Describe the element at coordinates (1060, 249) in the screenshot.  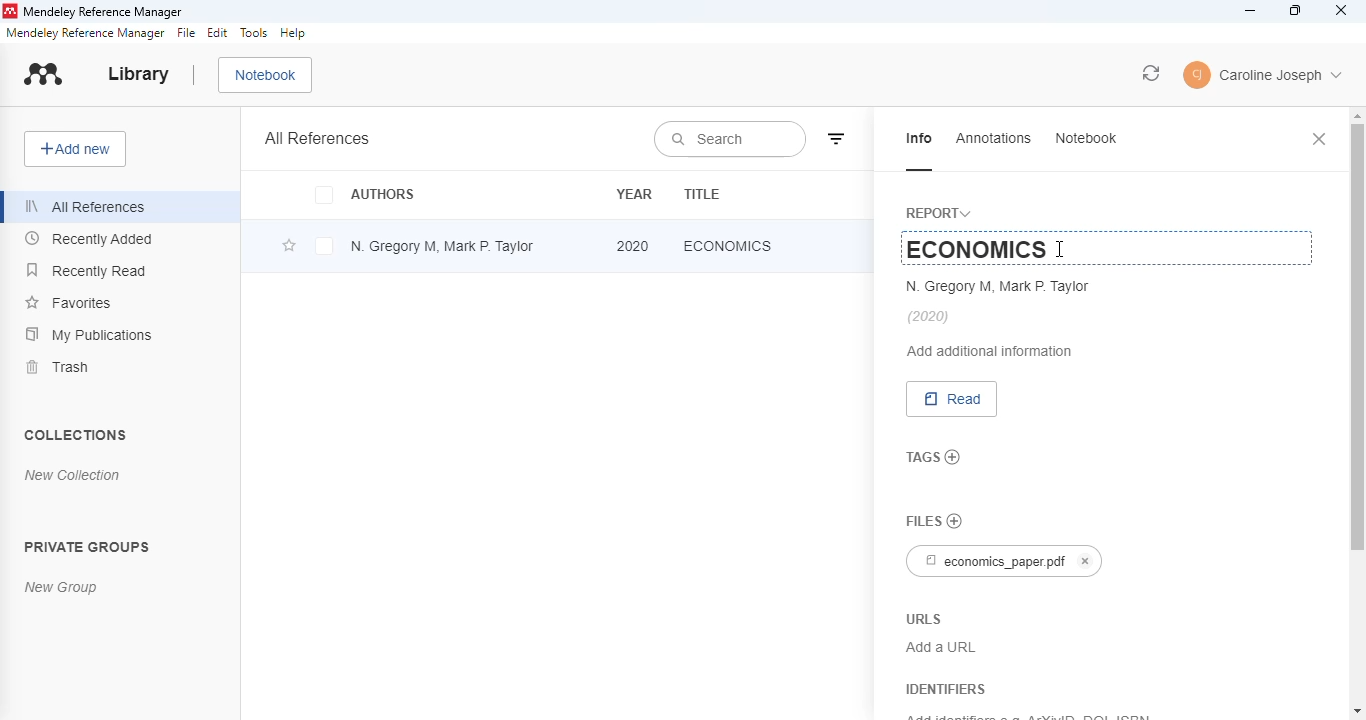
I see `cursor` at that location.